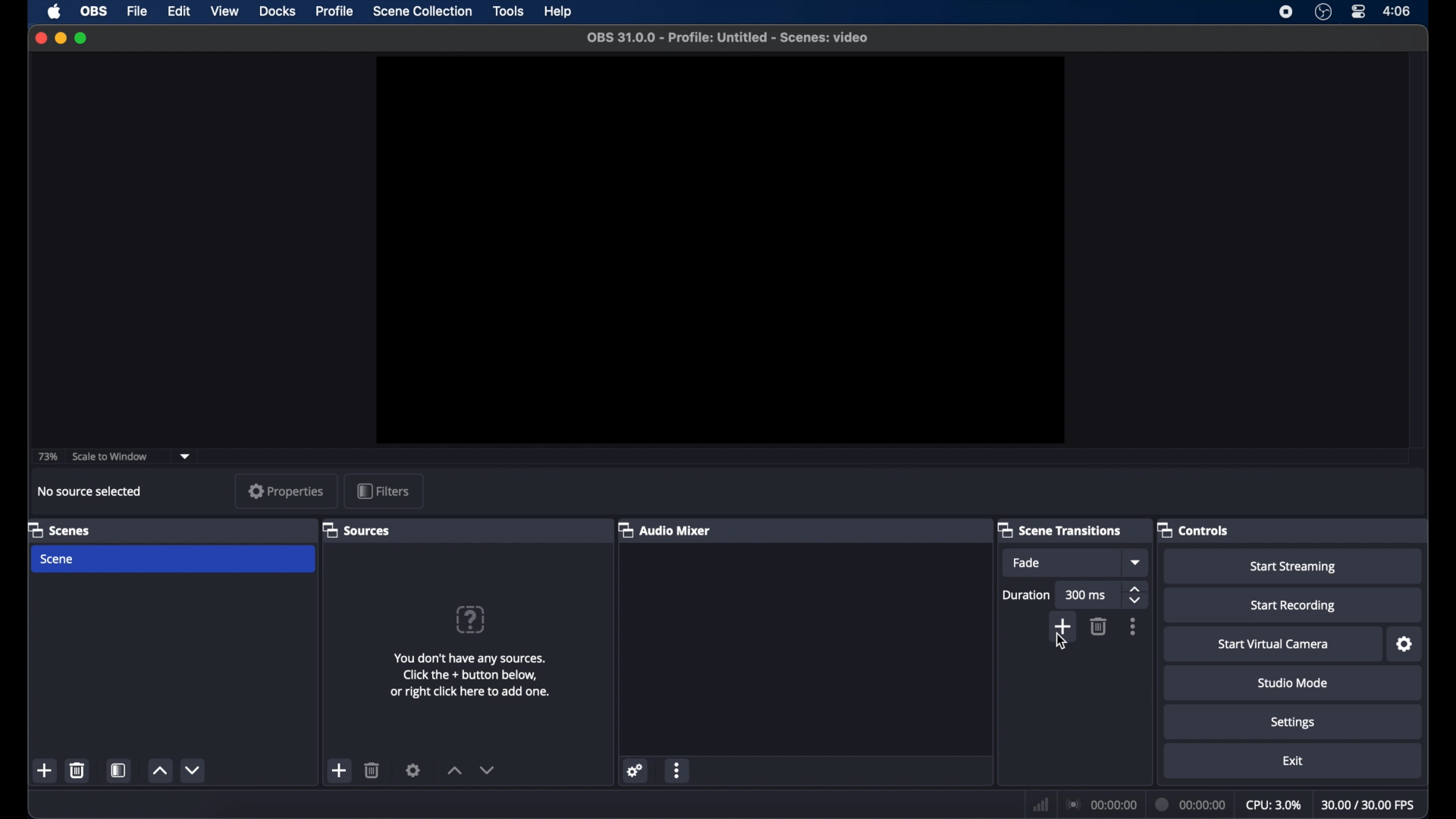 The height and width of the screenshot is (819, 1456). I want to click on edit, so click(178, 11).